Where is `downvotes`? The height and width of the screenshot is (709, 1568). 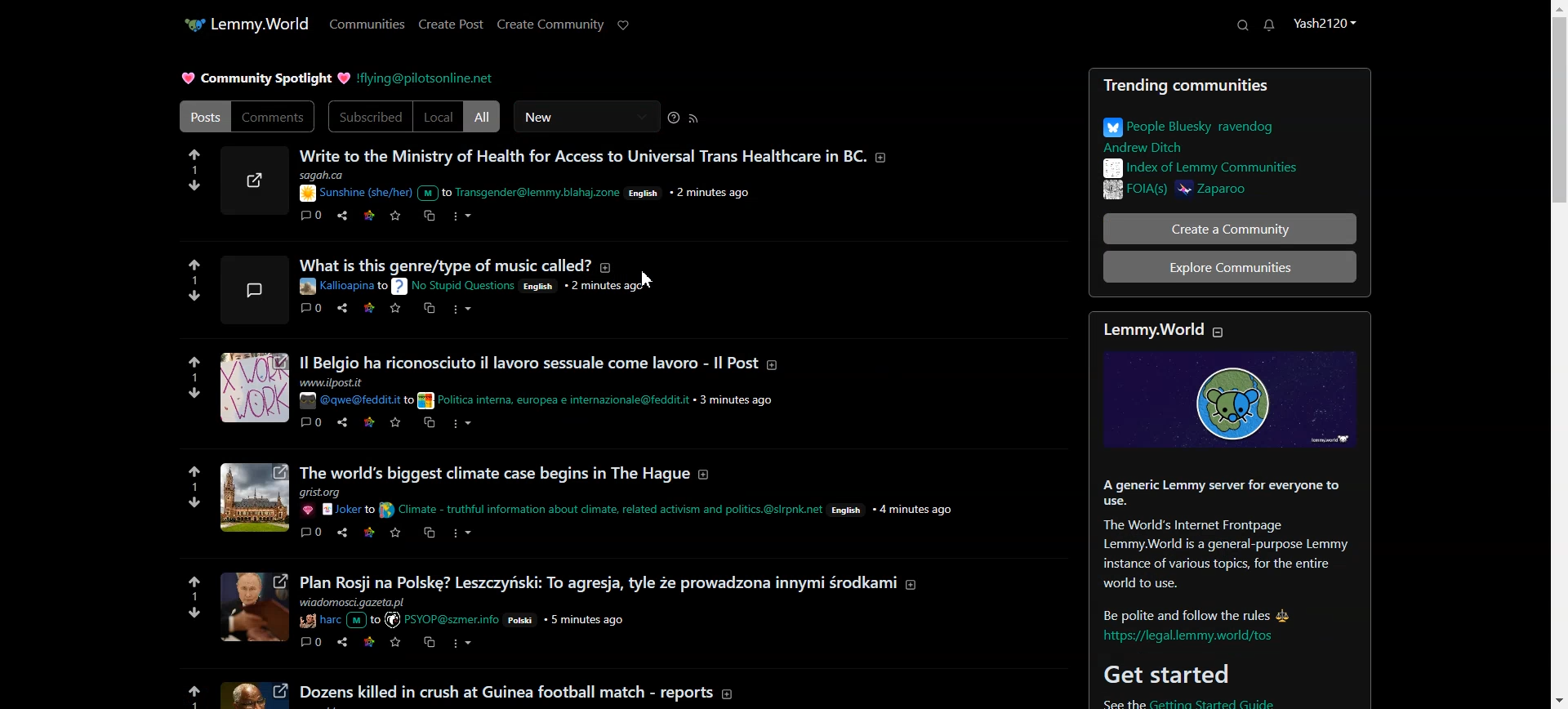 downvotes is located at coordinates (194, 503).